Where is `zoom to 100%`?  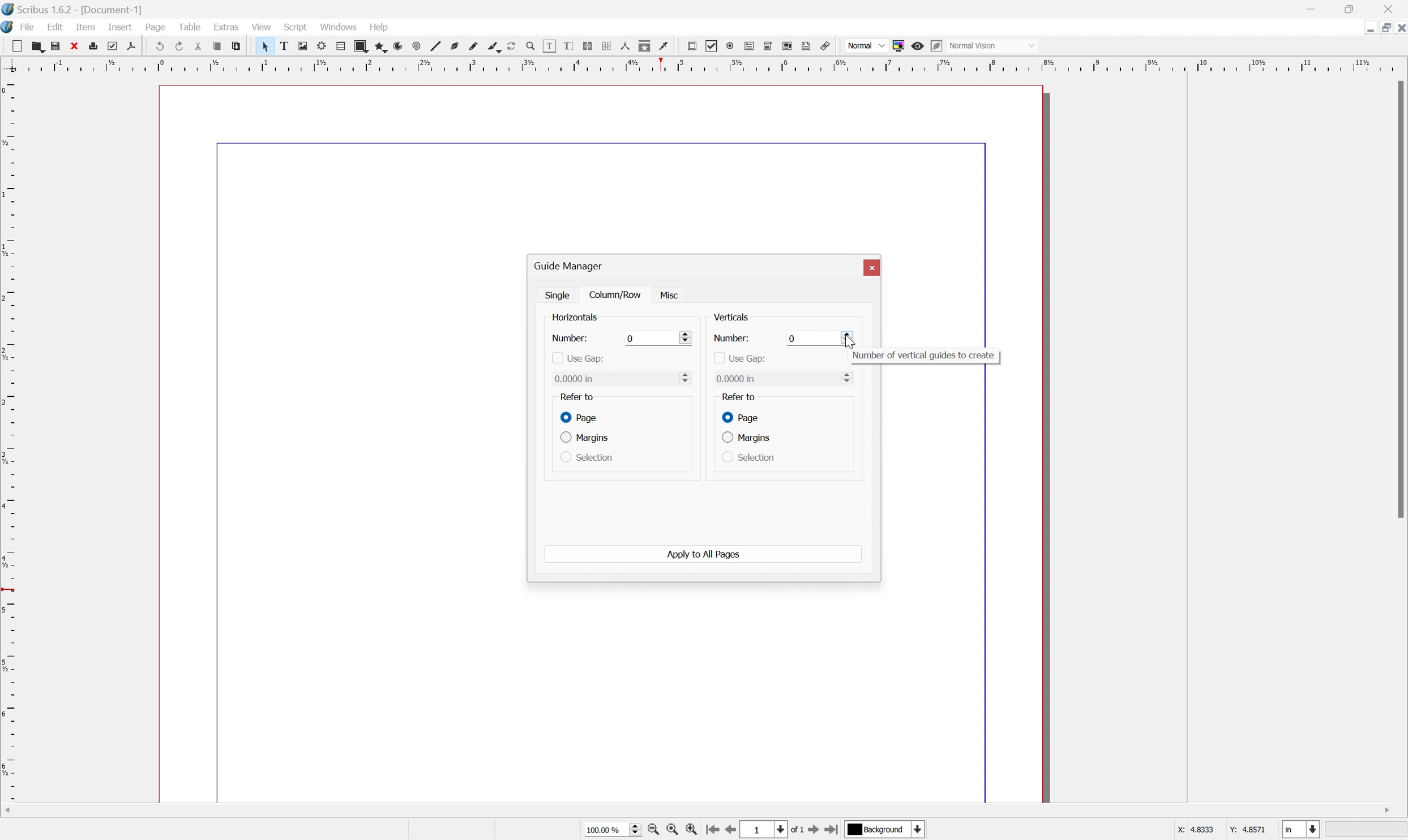 zoom to 100% is located at coordinates (652, 830).